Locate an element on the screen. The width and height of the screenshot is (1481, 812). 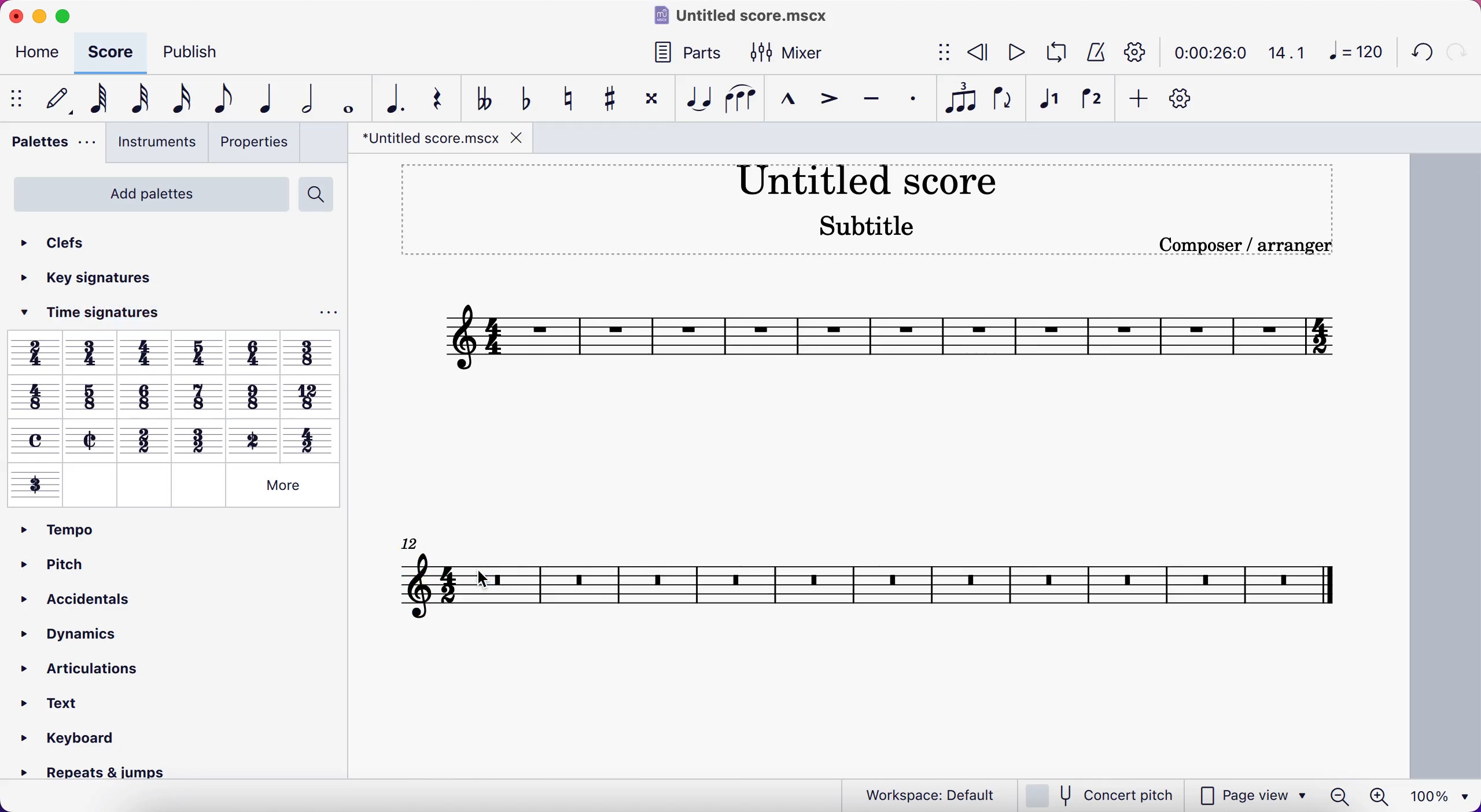
publish is located at coordinates (196, 54).